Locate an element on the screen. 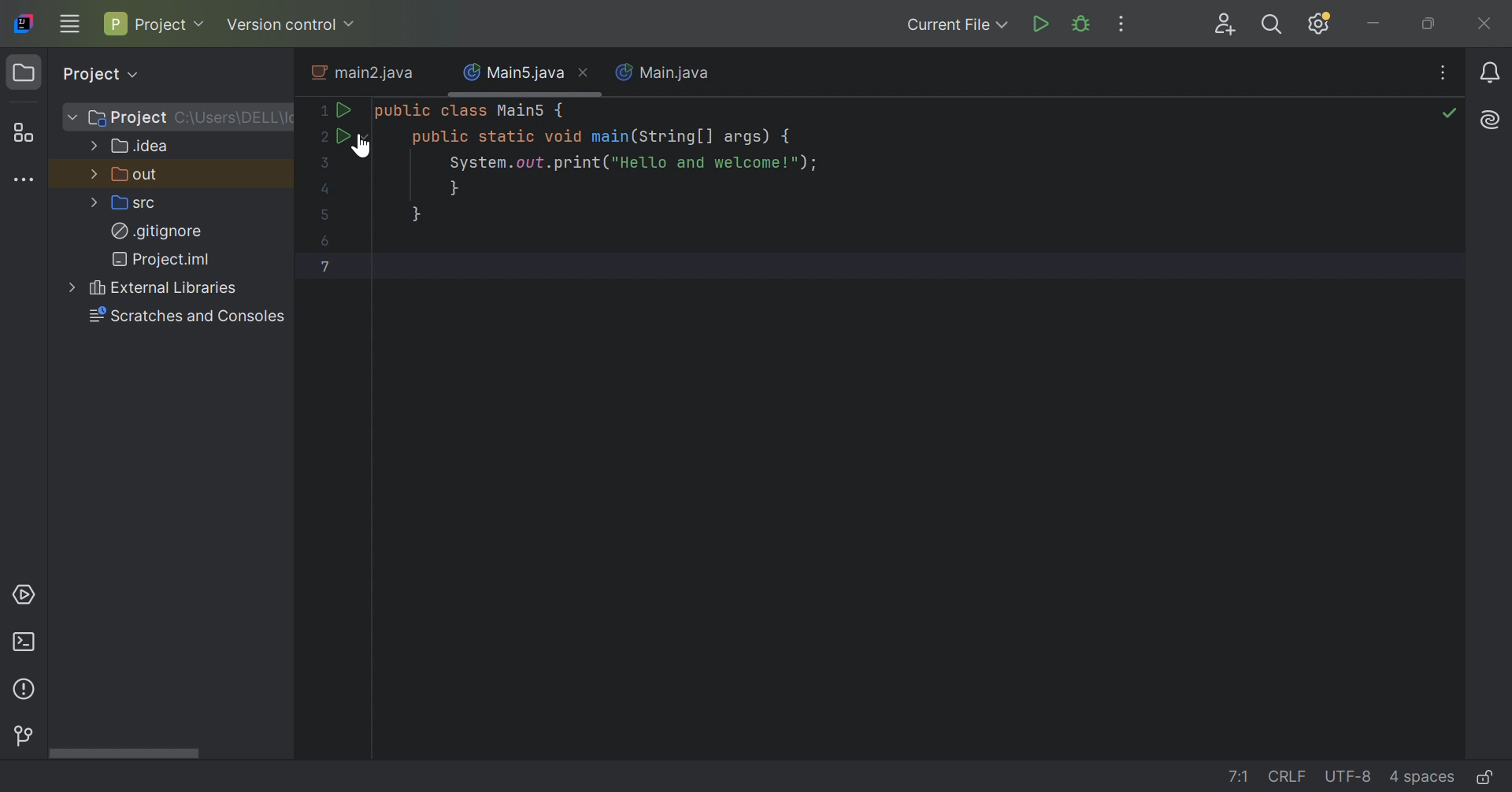 The height and width of the screenshot is (792, 1512). src is located at coordinates (132, 202).